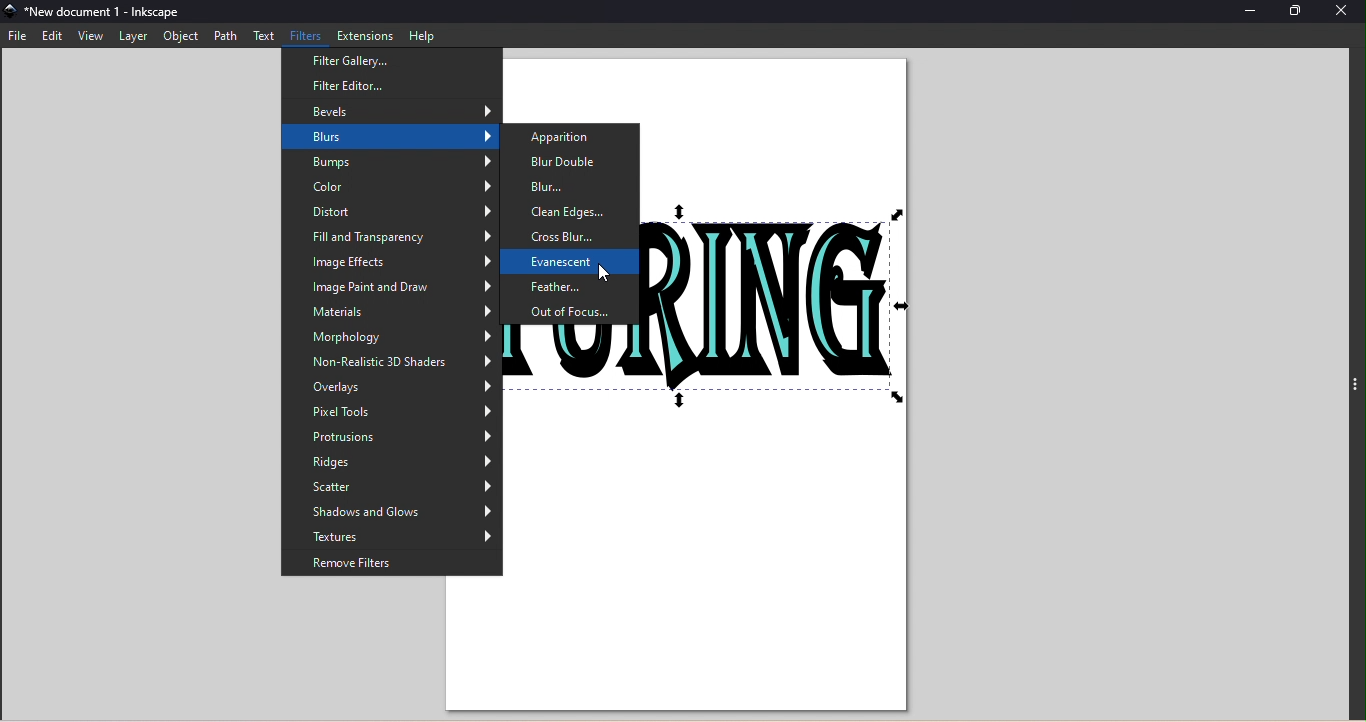 Image resolution: width=1366 pixels, height=722 pixels. I want to click on Materials, so click(396, 313).